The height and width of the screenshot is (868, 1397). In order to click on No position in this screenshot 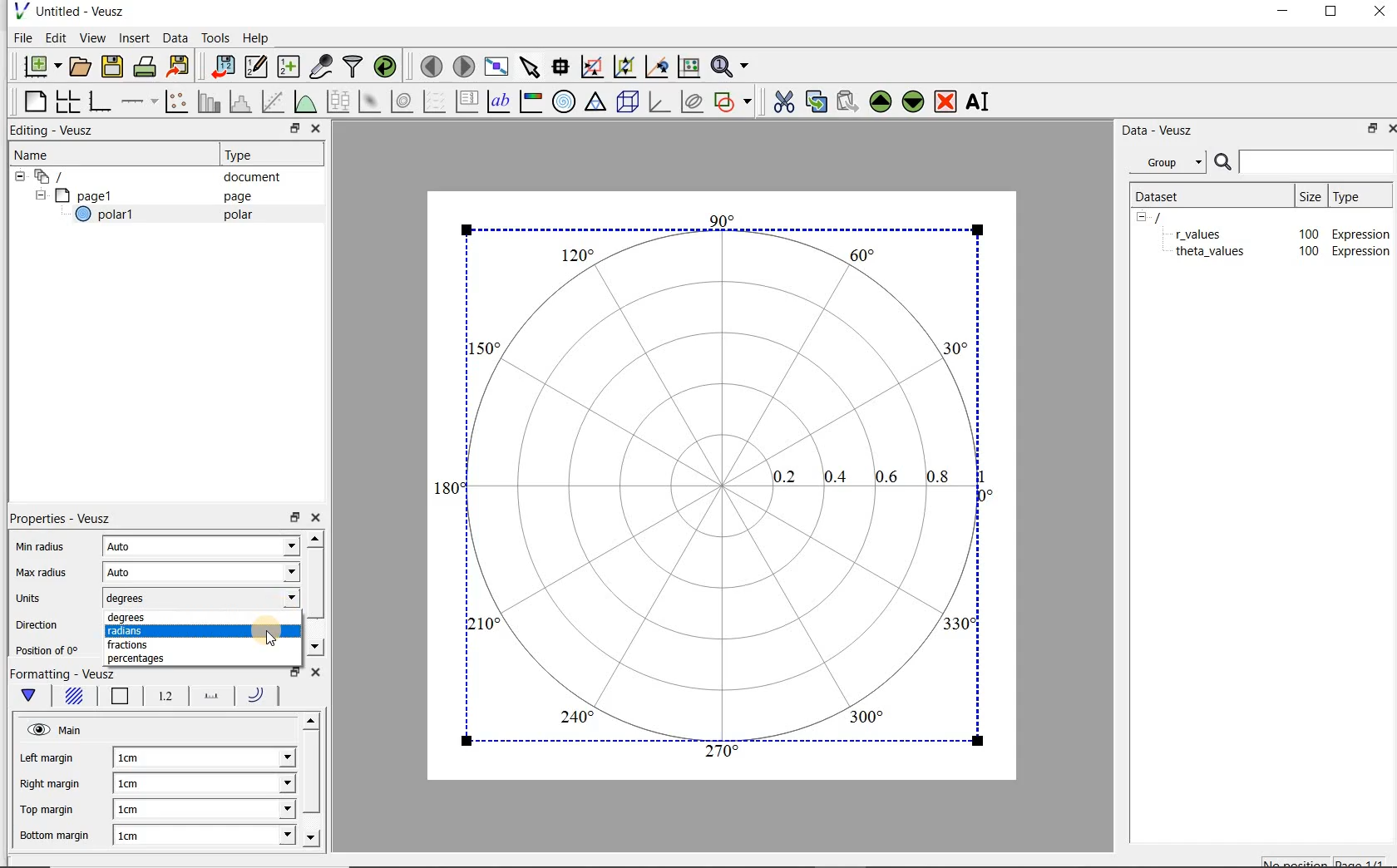, I will do `click(1297, 861)`.